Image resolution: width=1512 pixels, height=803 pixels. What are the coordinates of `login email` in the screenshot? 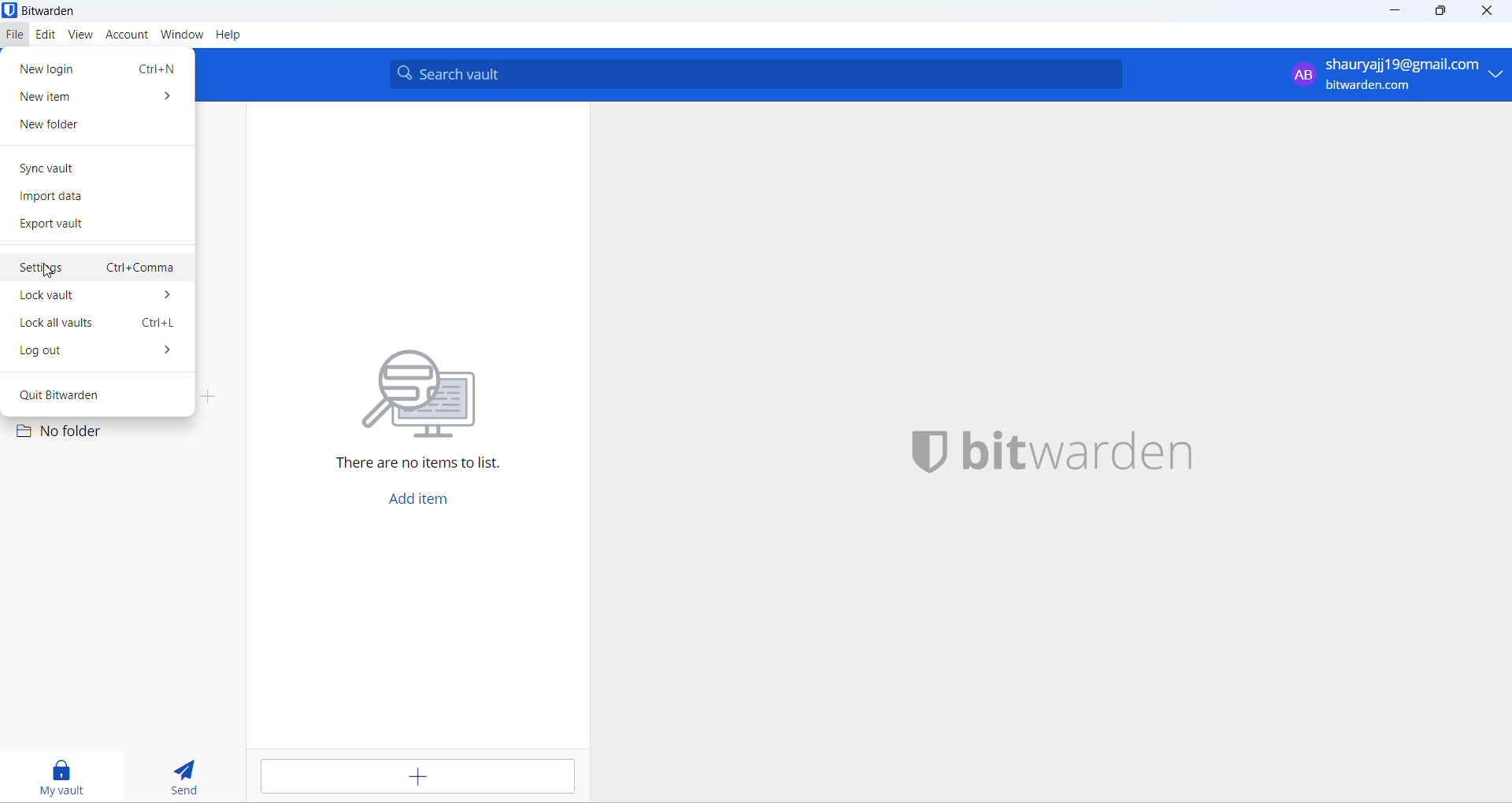 It's located at (1392, 75).